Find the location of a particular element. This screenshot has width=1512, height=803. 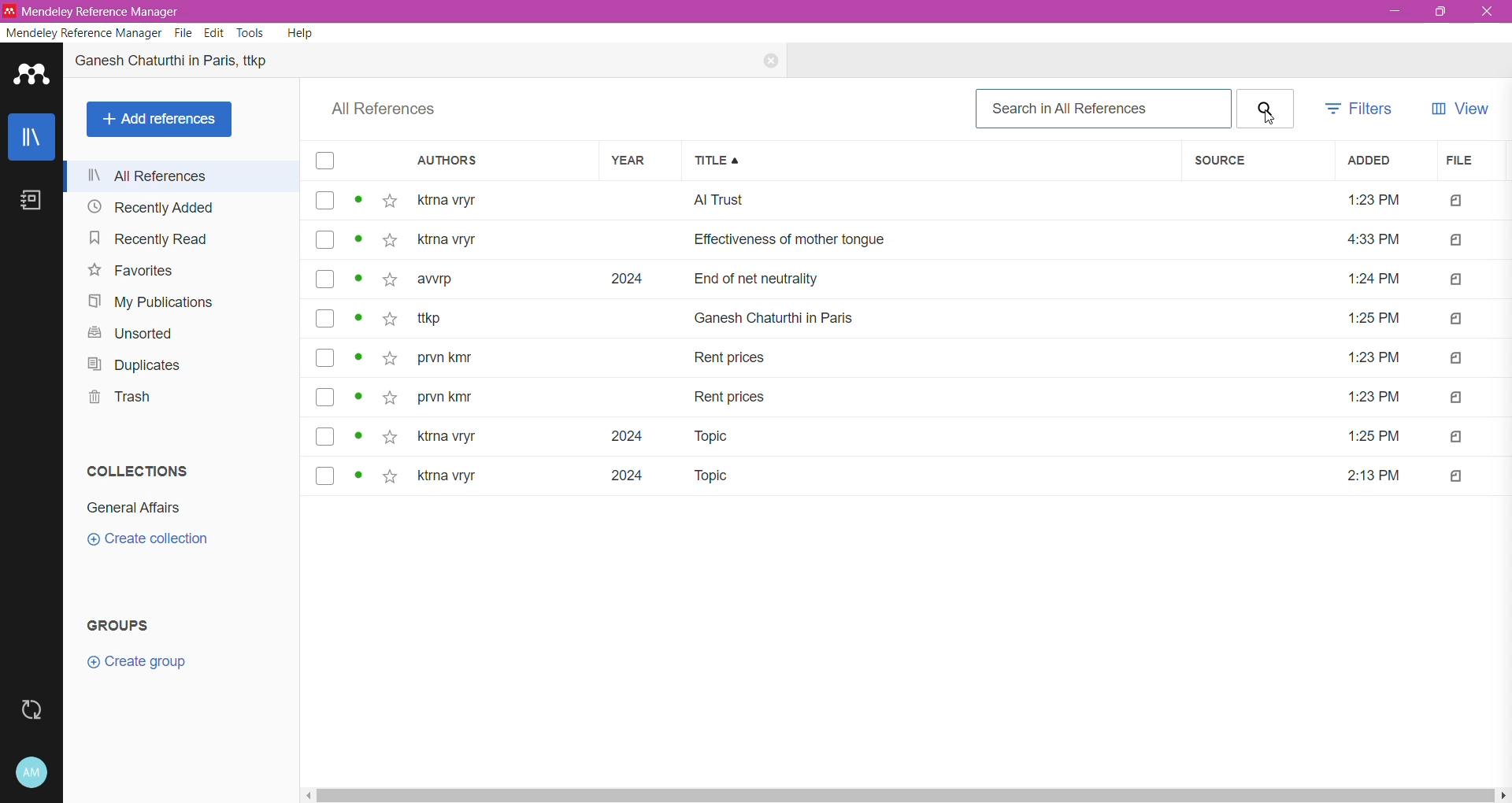

File is located at coordinates (183, 33).